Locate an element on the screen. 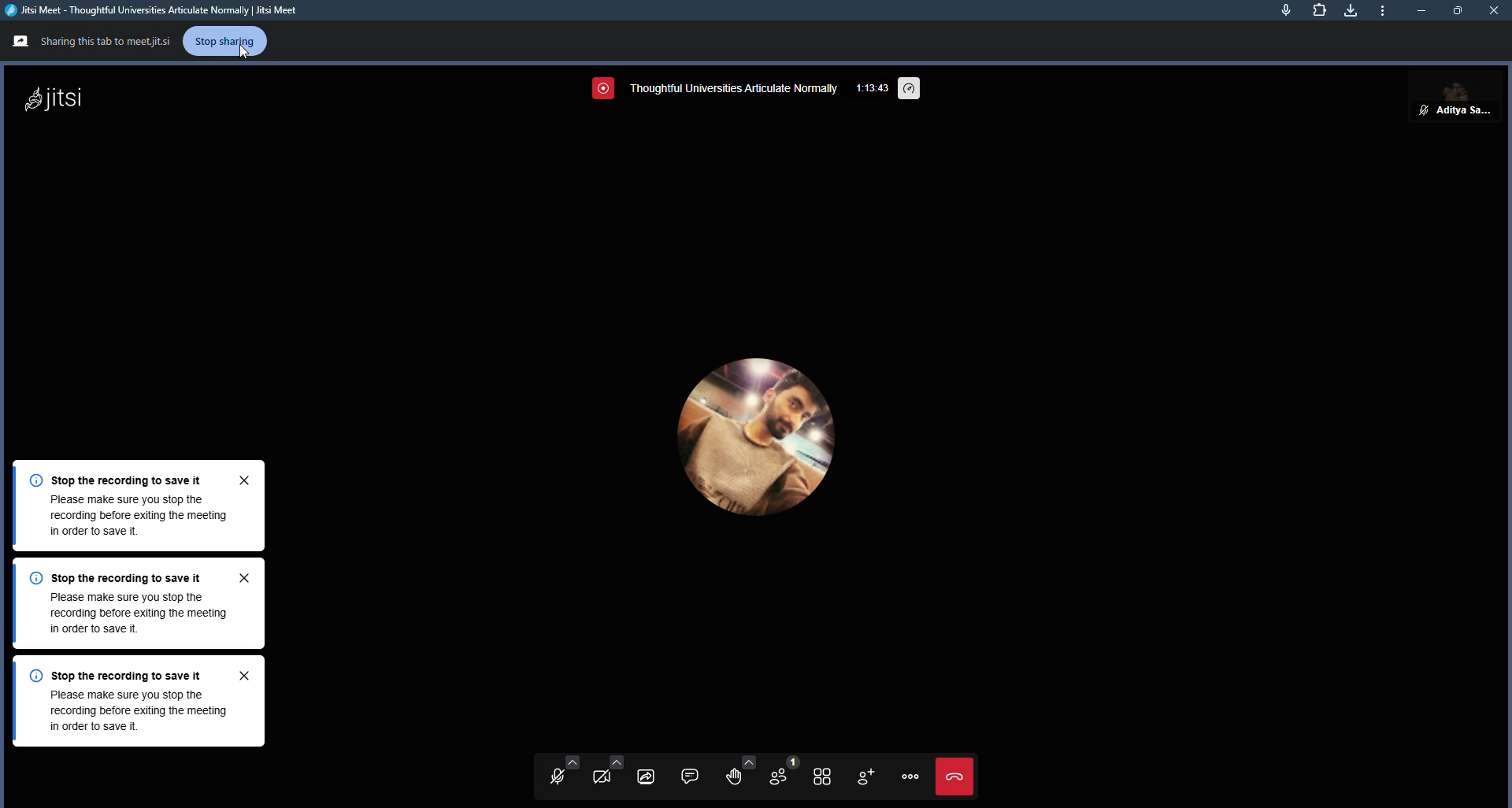 The image size is (1512, 808). maximize is located at coordinates (1457, 9).